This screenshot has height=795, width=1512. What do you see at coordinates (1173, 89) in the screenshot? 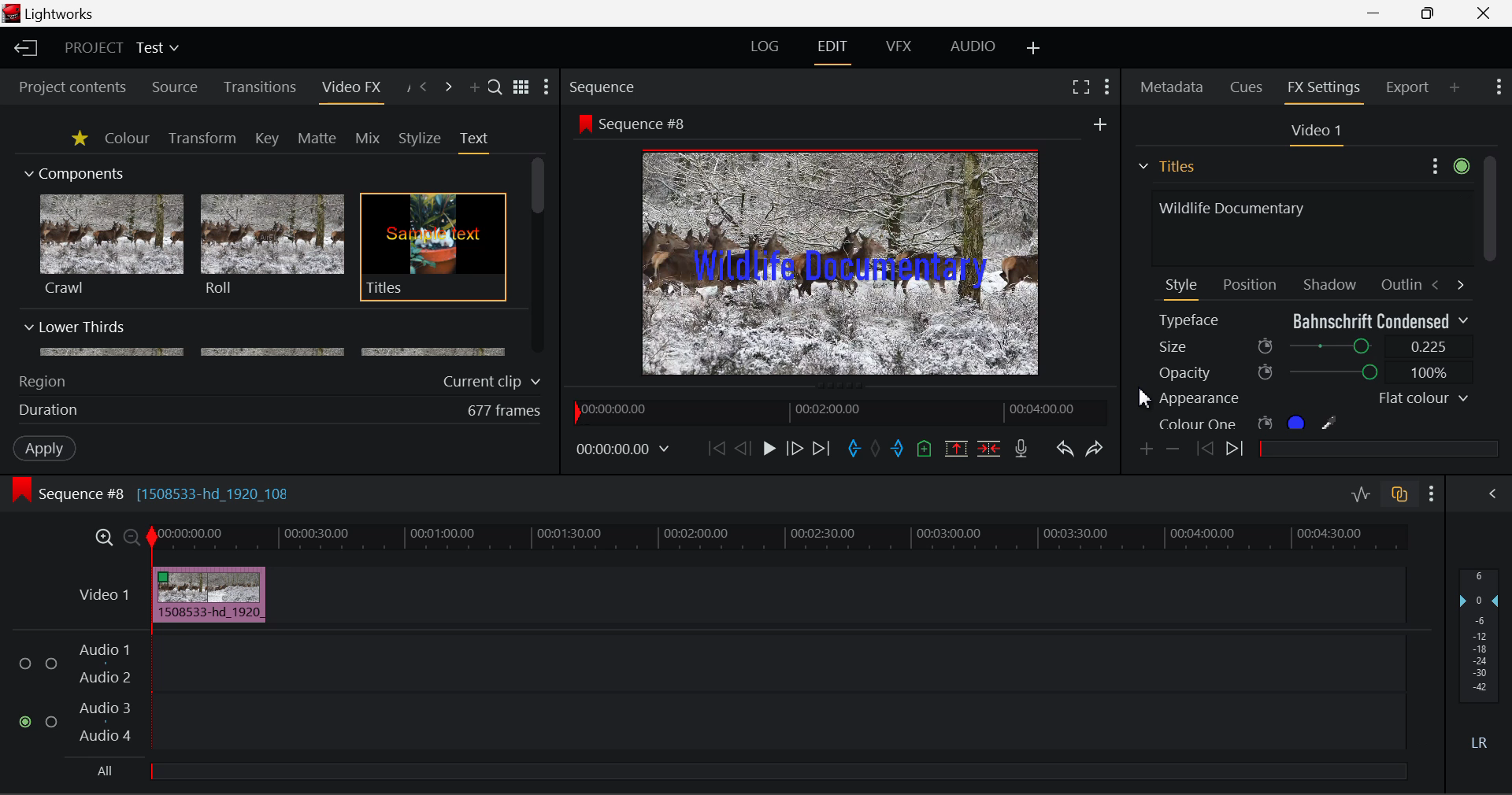
I see `Metadata` at bounding box center [1173, 89].